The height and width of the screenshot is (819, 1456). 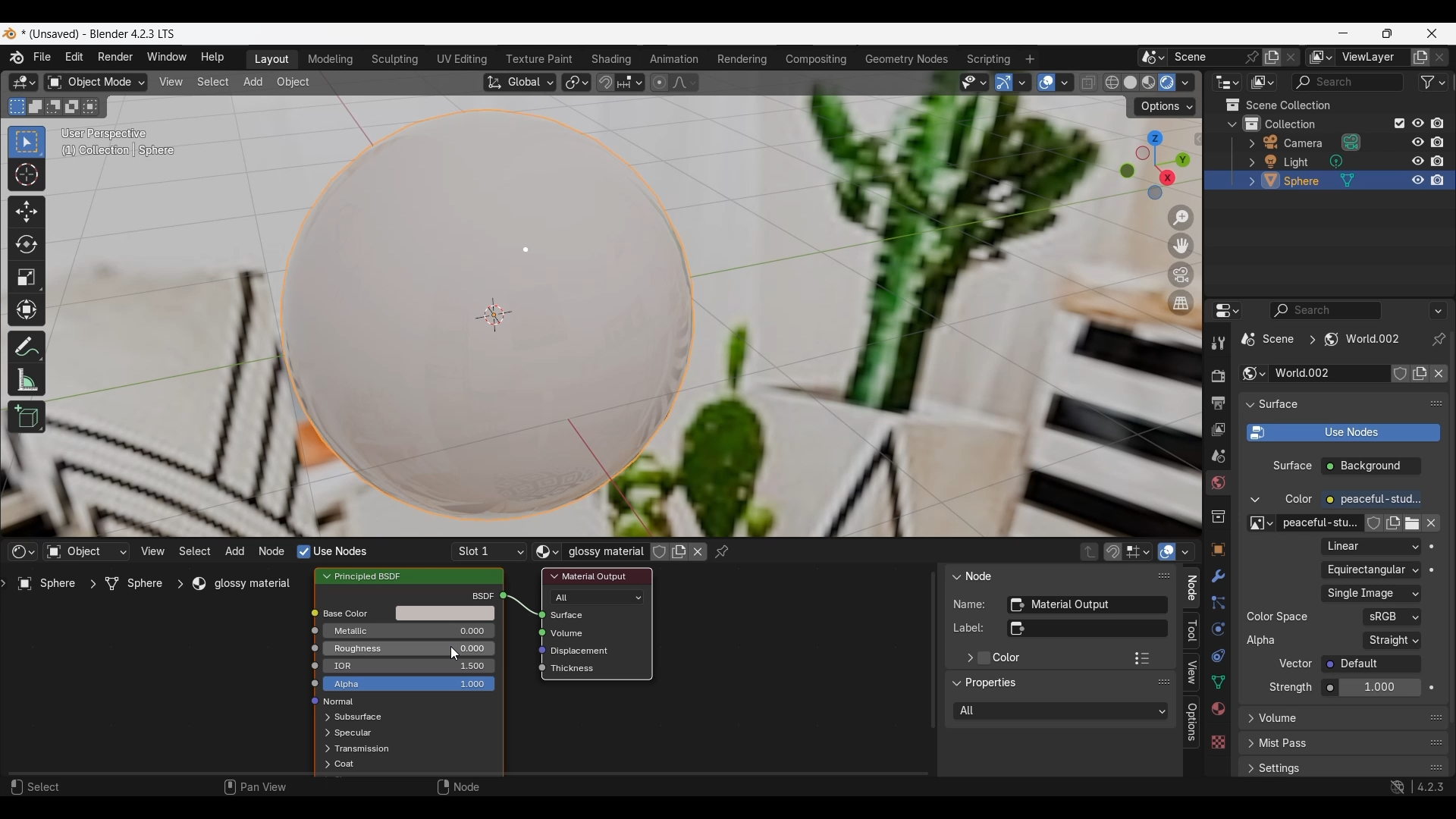 What do you see at coordinates (536, 650) in the screenshot?
I see `icon` at bounding box center [536, 650].